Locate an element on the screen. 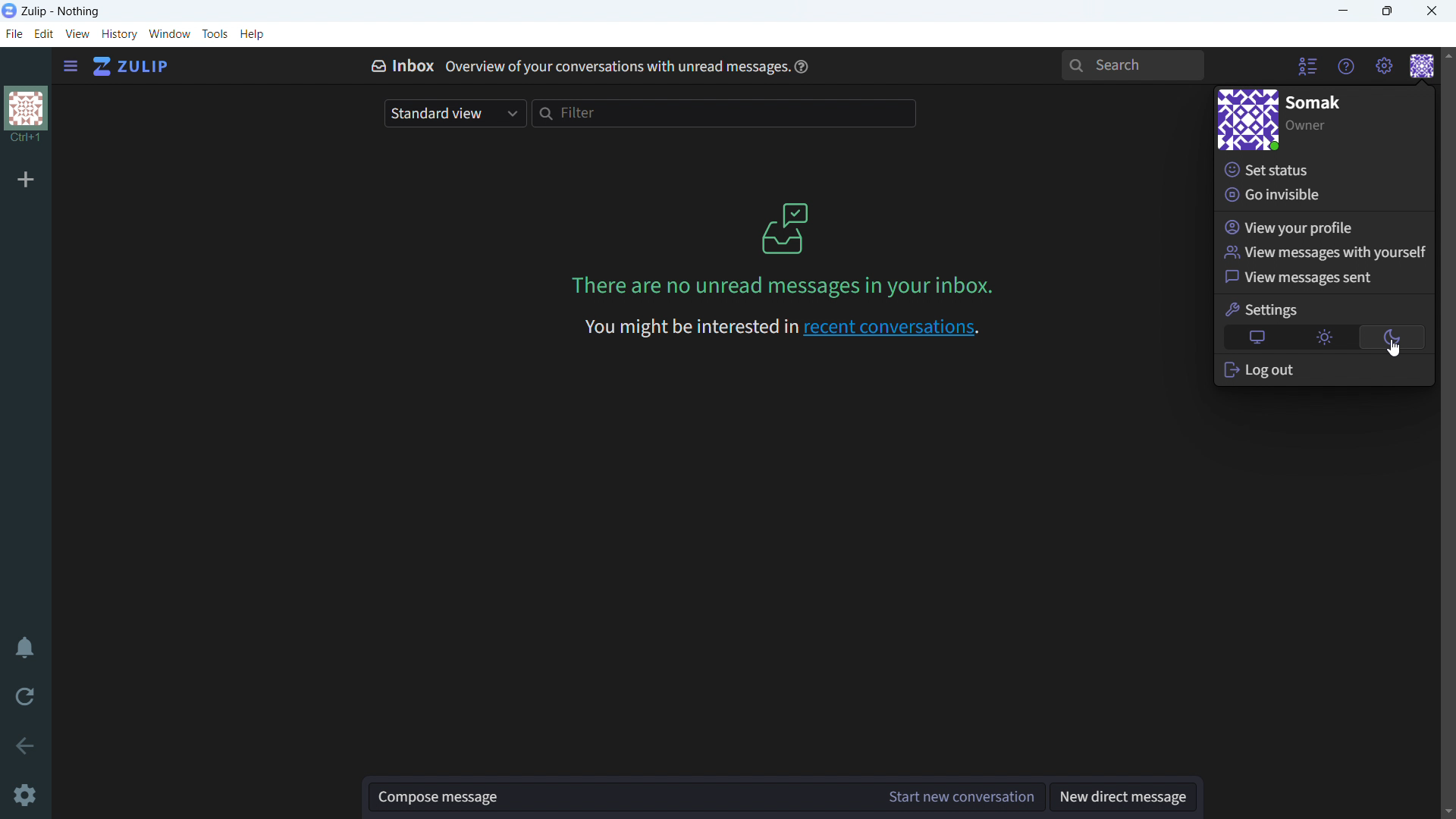  select view is located at coordinates (455, 114).